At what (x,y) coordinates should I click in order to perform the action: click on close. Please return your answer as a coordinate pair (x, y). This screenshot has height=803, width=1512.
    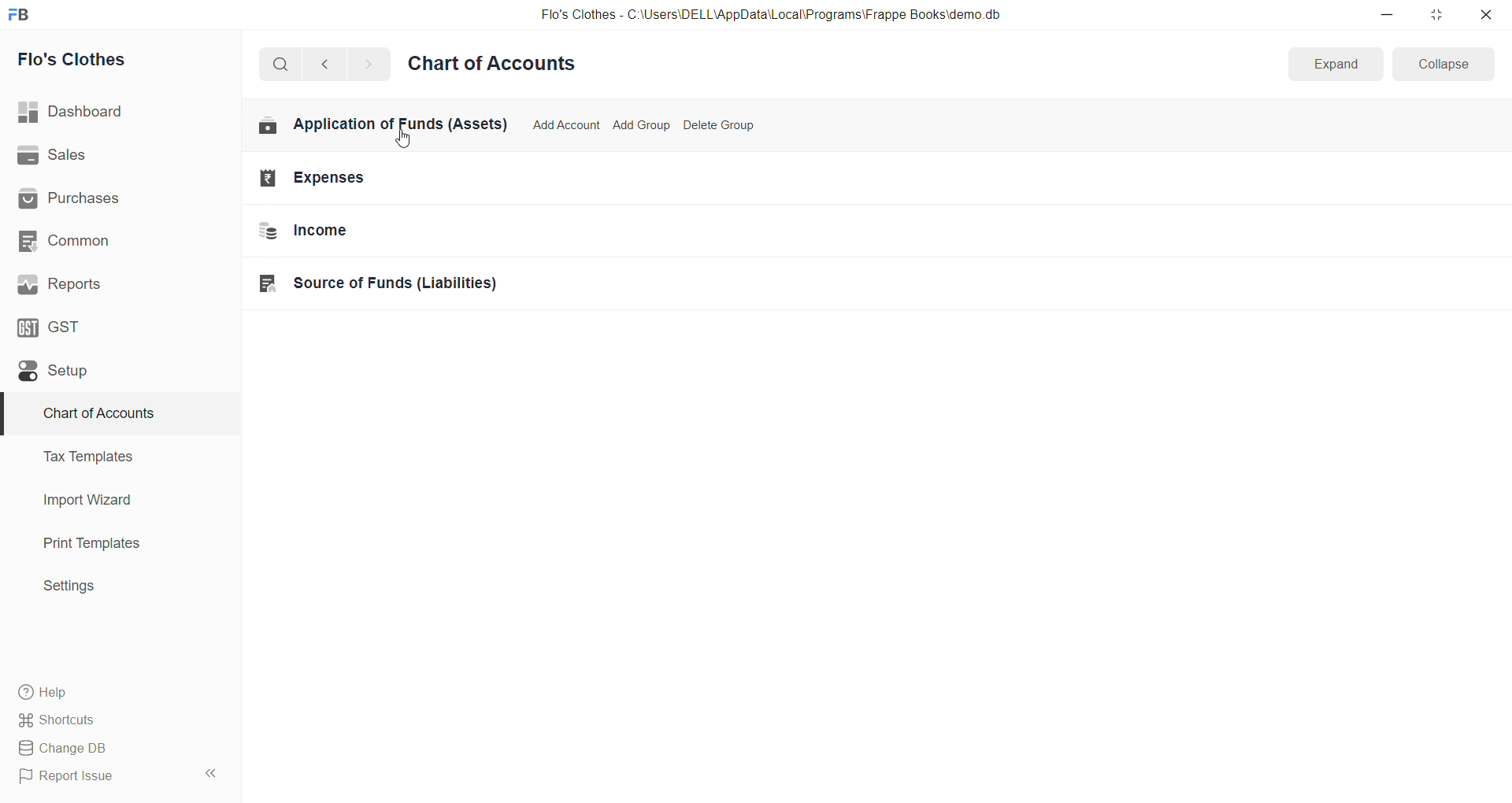
    Looking at the image, I should click on (1485, 14).